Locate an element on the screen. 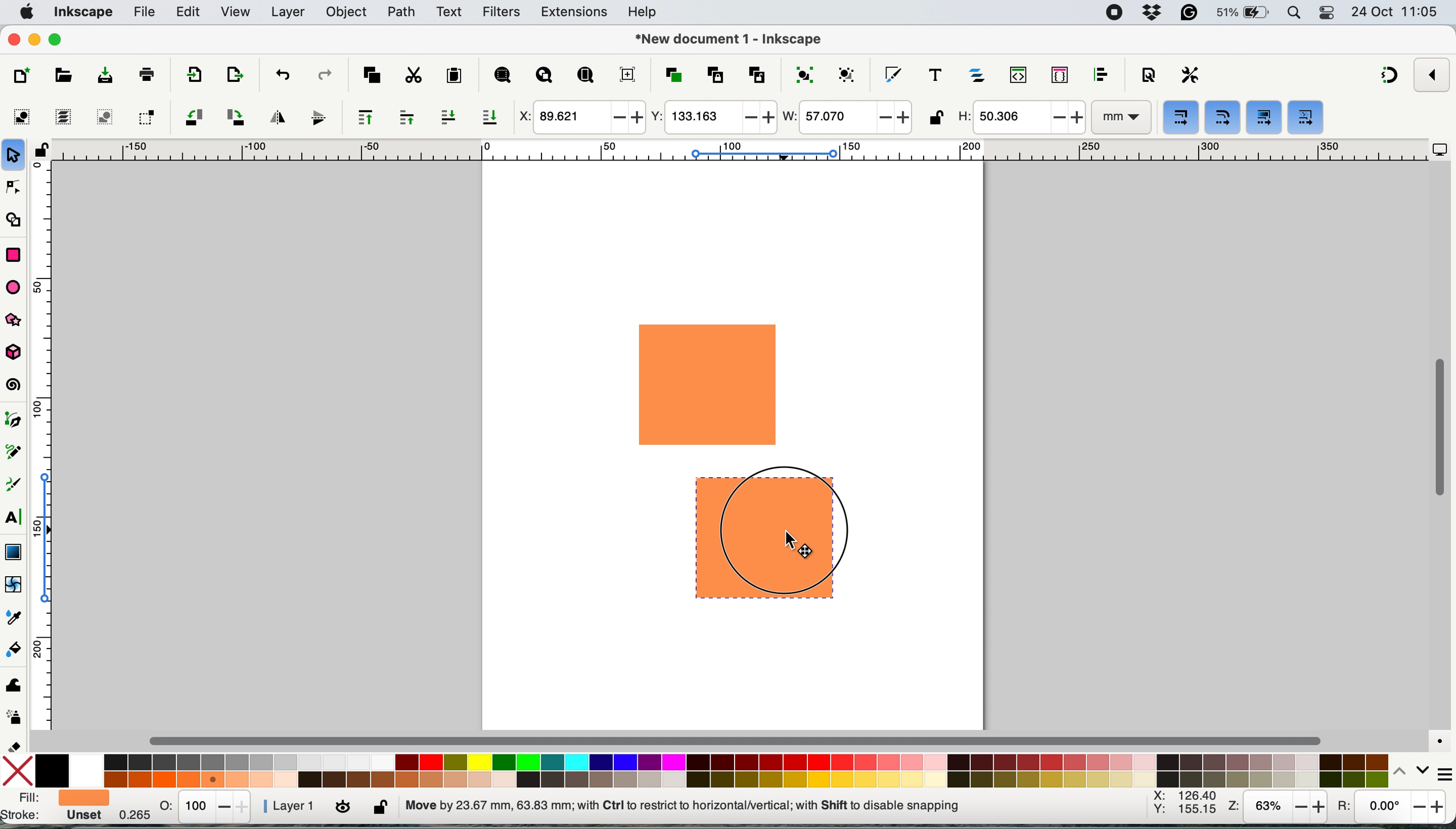  perferences is located at coordinates (1191, 75).